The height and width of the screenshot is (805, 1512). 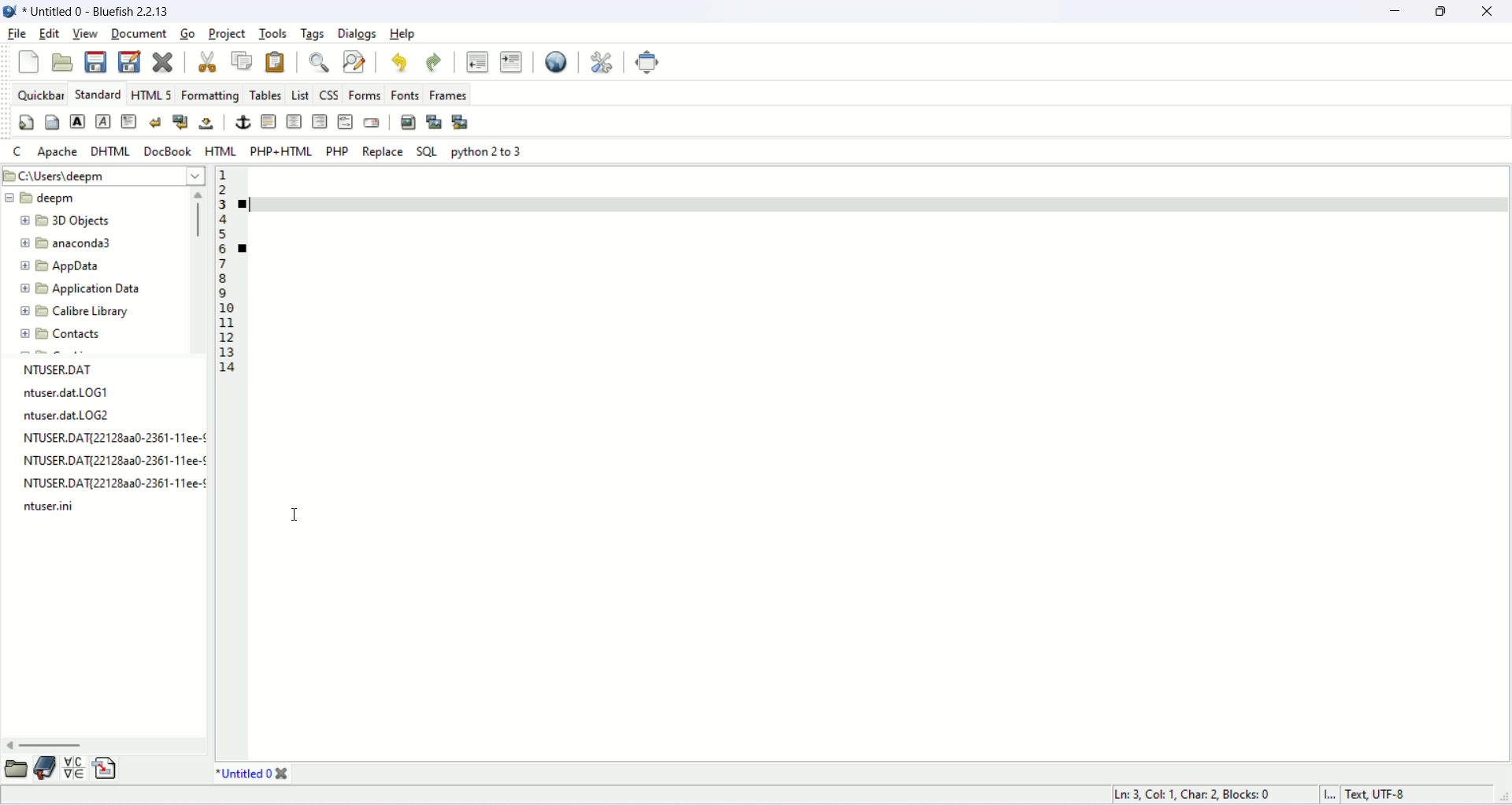 I want to click on imphasis, so click(x=103, y=121).